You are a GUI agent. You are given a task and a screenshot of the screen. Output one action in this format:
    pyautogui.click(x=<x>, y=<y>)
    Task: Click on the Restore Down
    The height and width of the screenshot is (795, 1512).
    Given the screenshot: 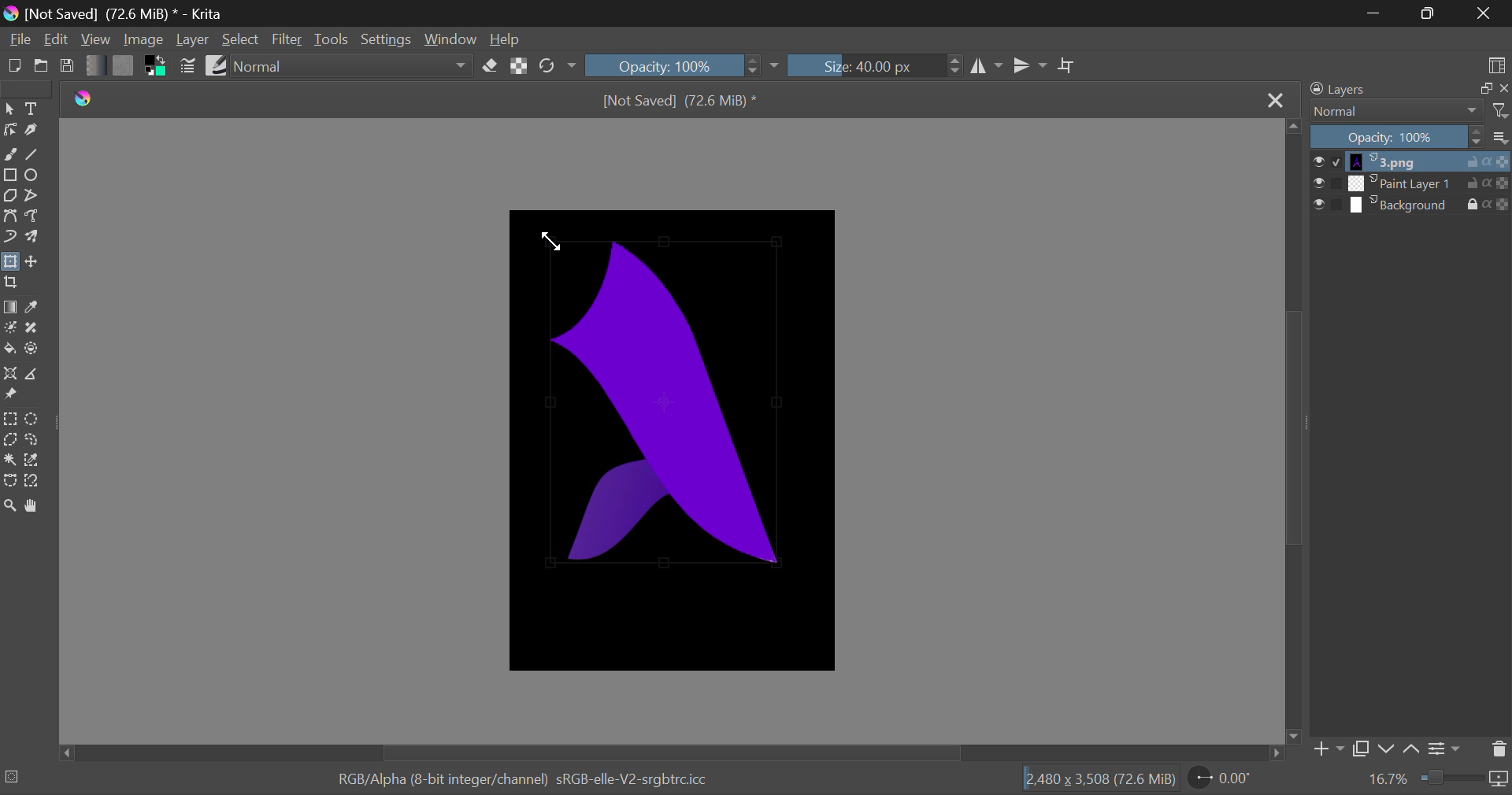 What is the action you would take?
    pyautogui.click(x=1376, y=14)
    